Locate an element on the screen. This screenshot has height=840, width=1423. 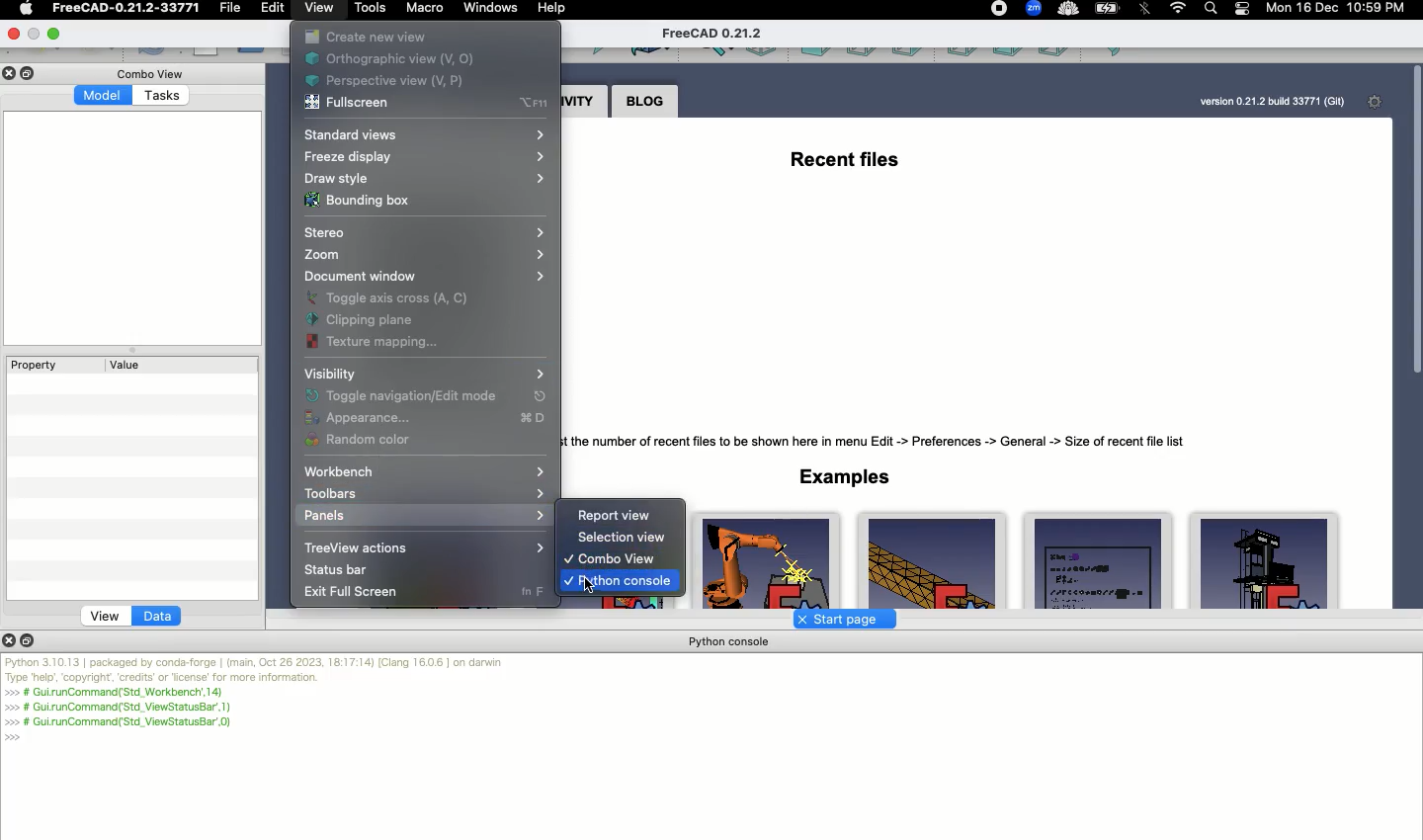
Bounding box is located at coordinates (360, 203).